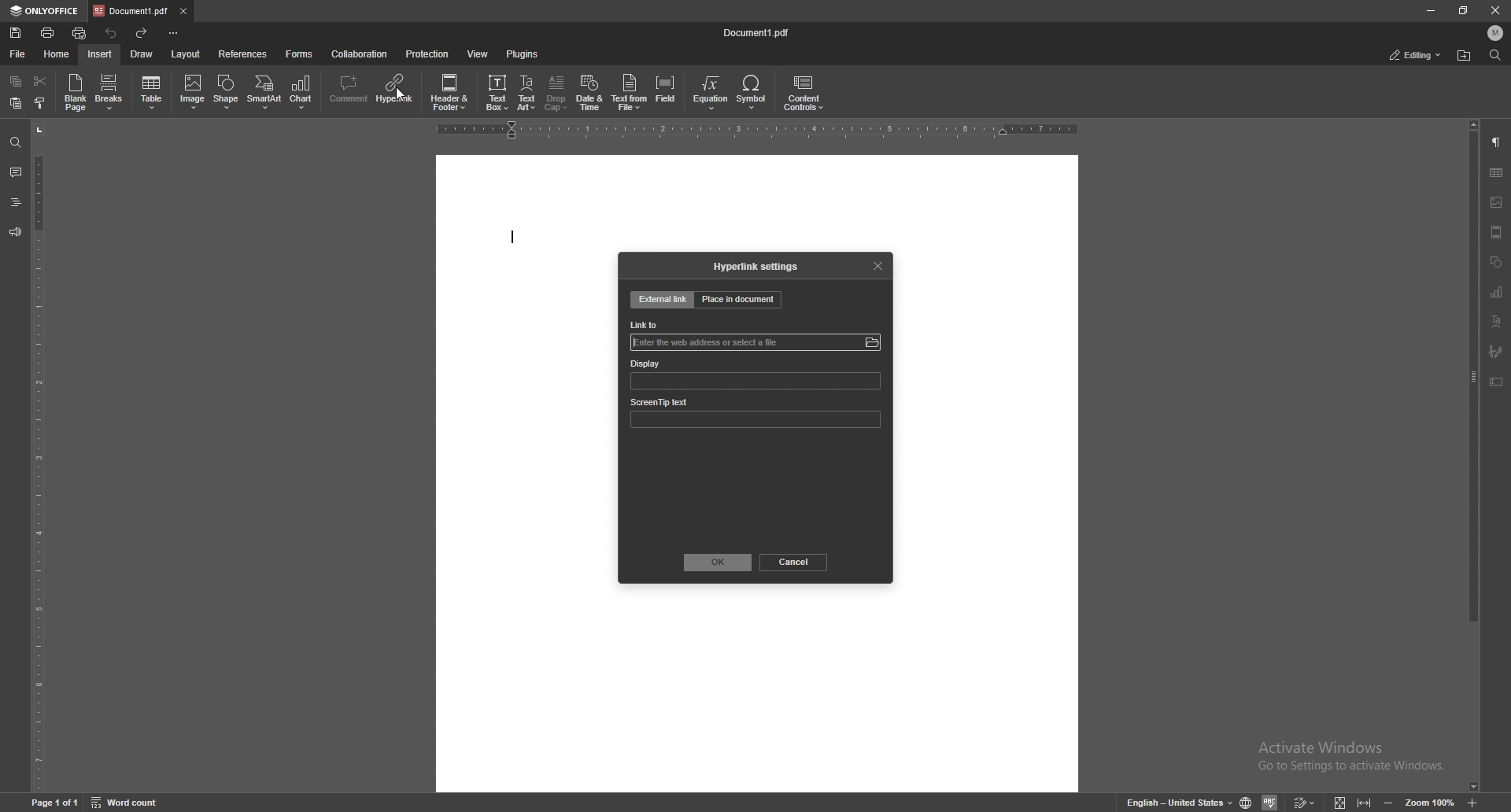 The height and width of the screenshot is (812, 1511). What do you see at coordinates (719, 563) in the screenshot?
I see `ok` at bounding box center [719, 563].